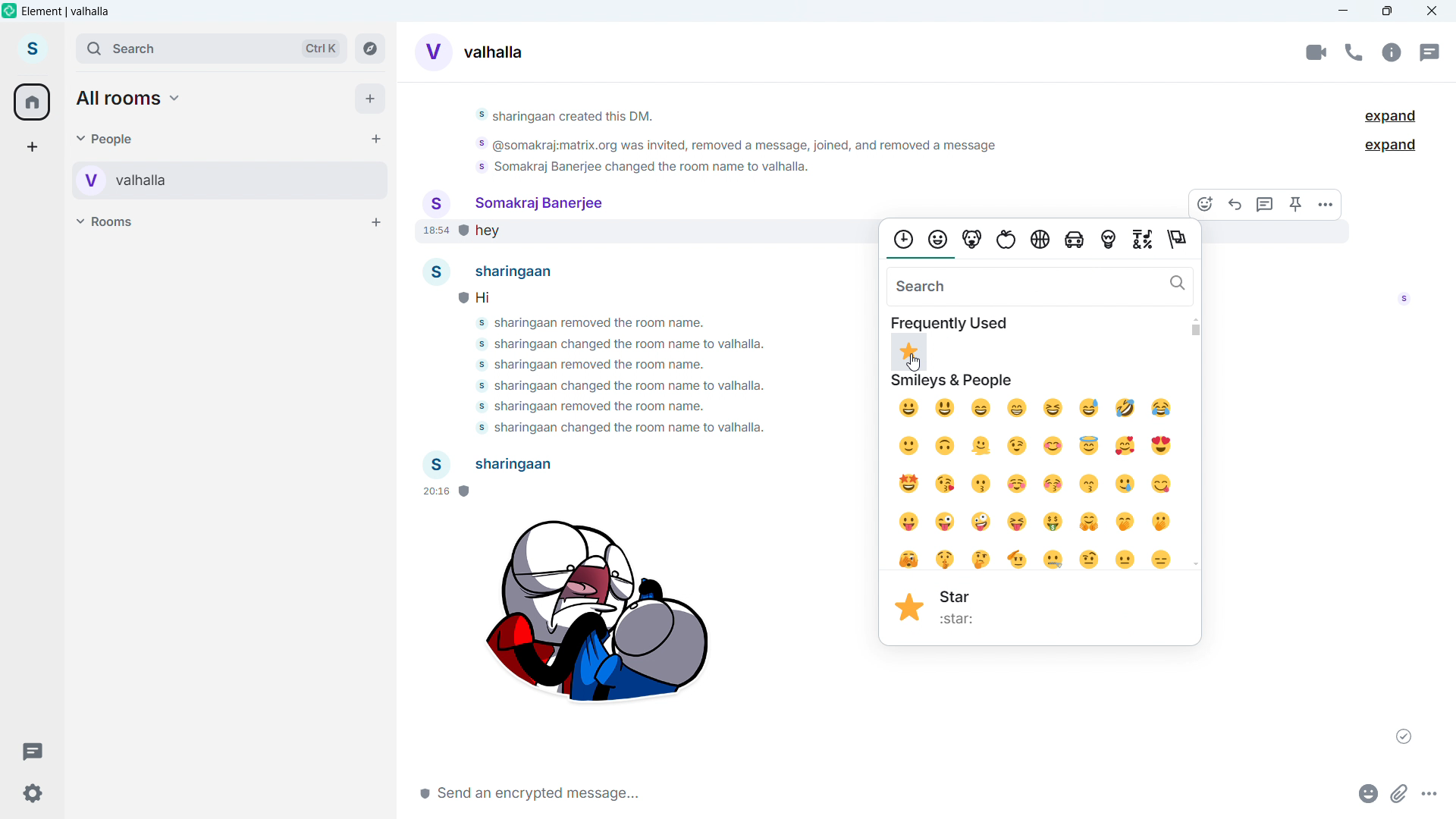  Describe the element at coordinates (1128, 447) in the screenshot. I see `smiling face with hearts` at that location.